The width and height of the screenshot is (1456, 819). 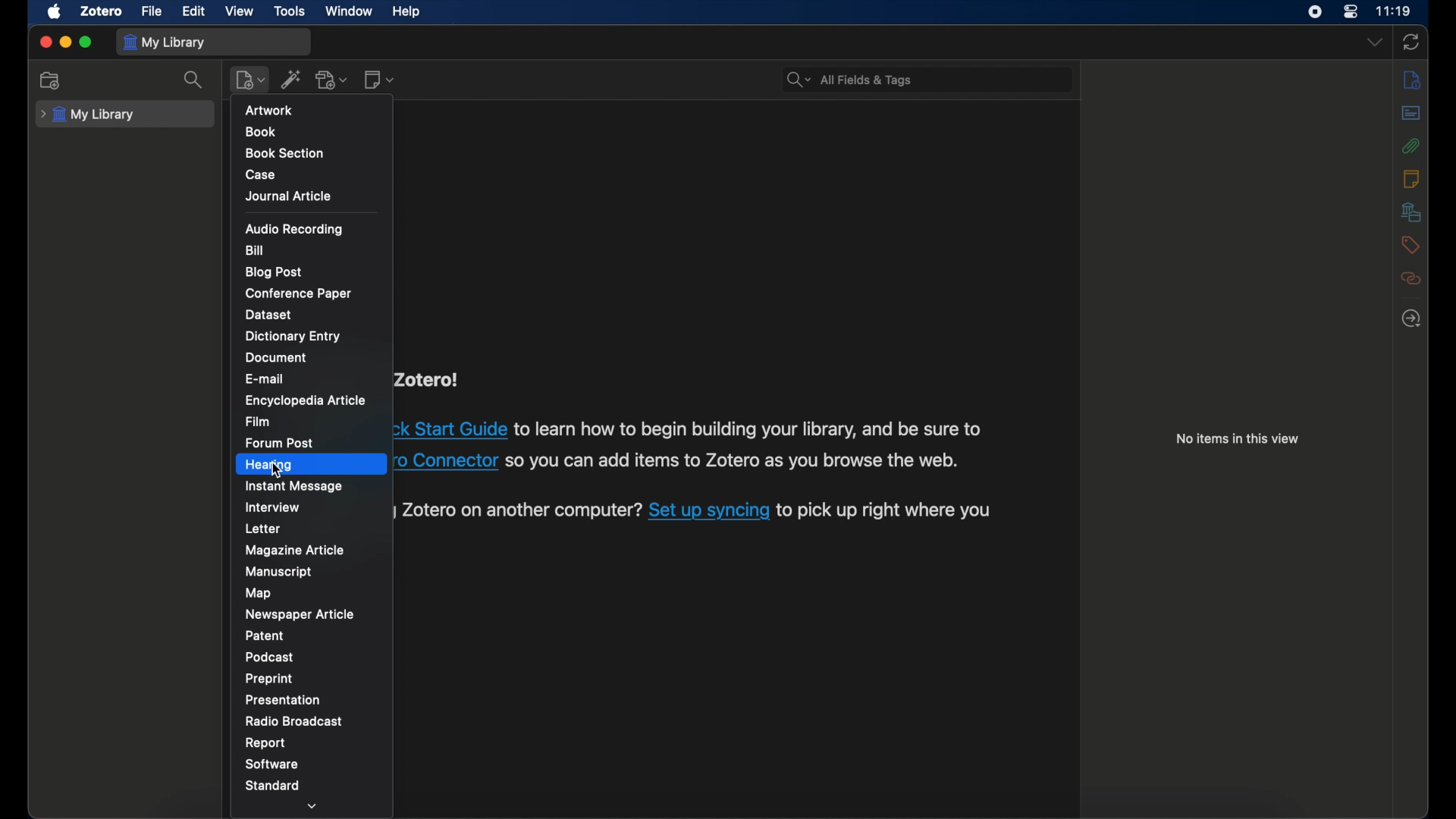 What do you see at coordinates (279, 442) in the screenshot?
I see `forum post` at bounding box center [279, 442].